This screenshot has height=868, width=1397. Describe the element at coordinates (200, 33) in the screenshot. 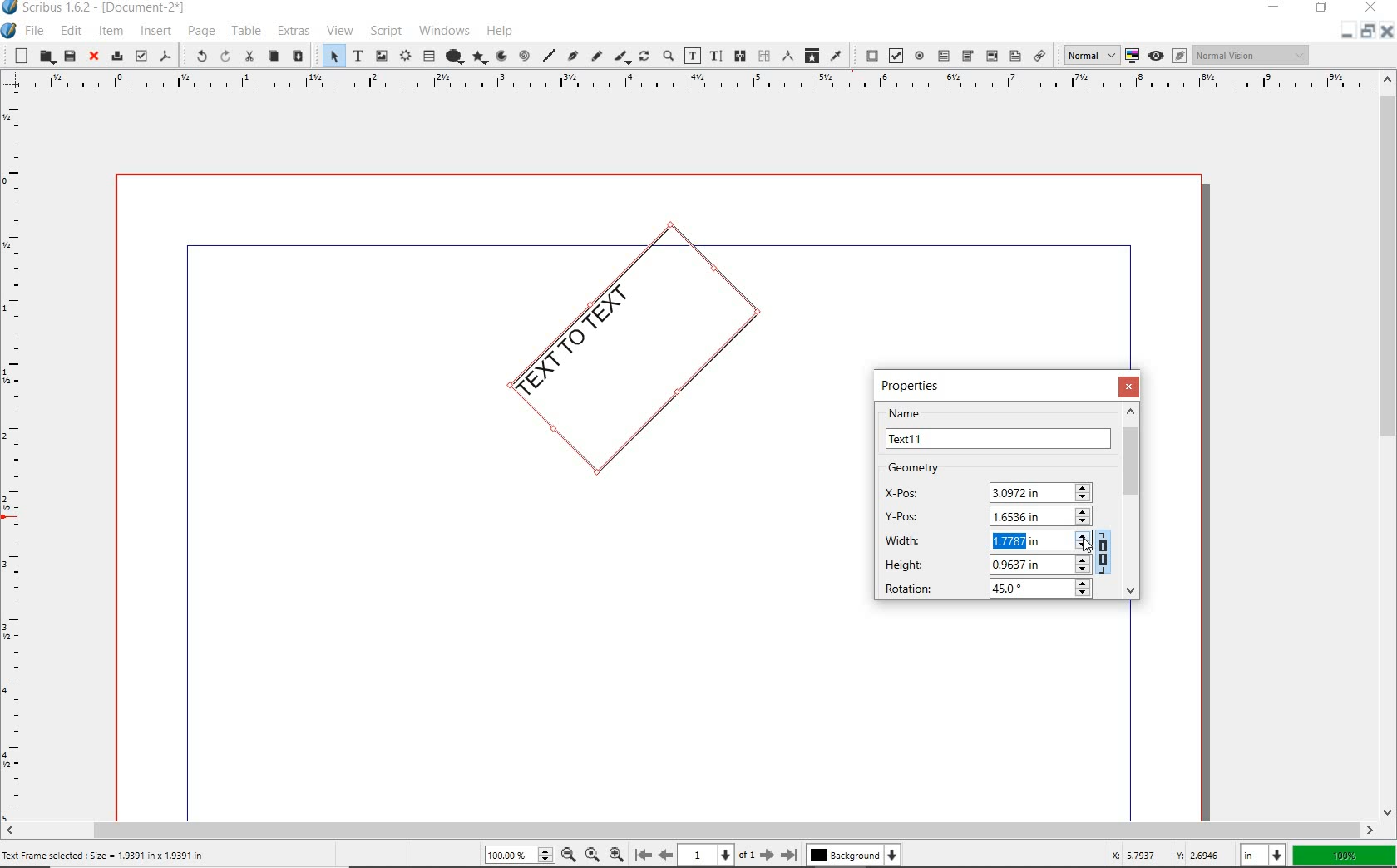

I see `page` at that location.